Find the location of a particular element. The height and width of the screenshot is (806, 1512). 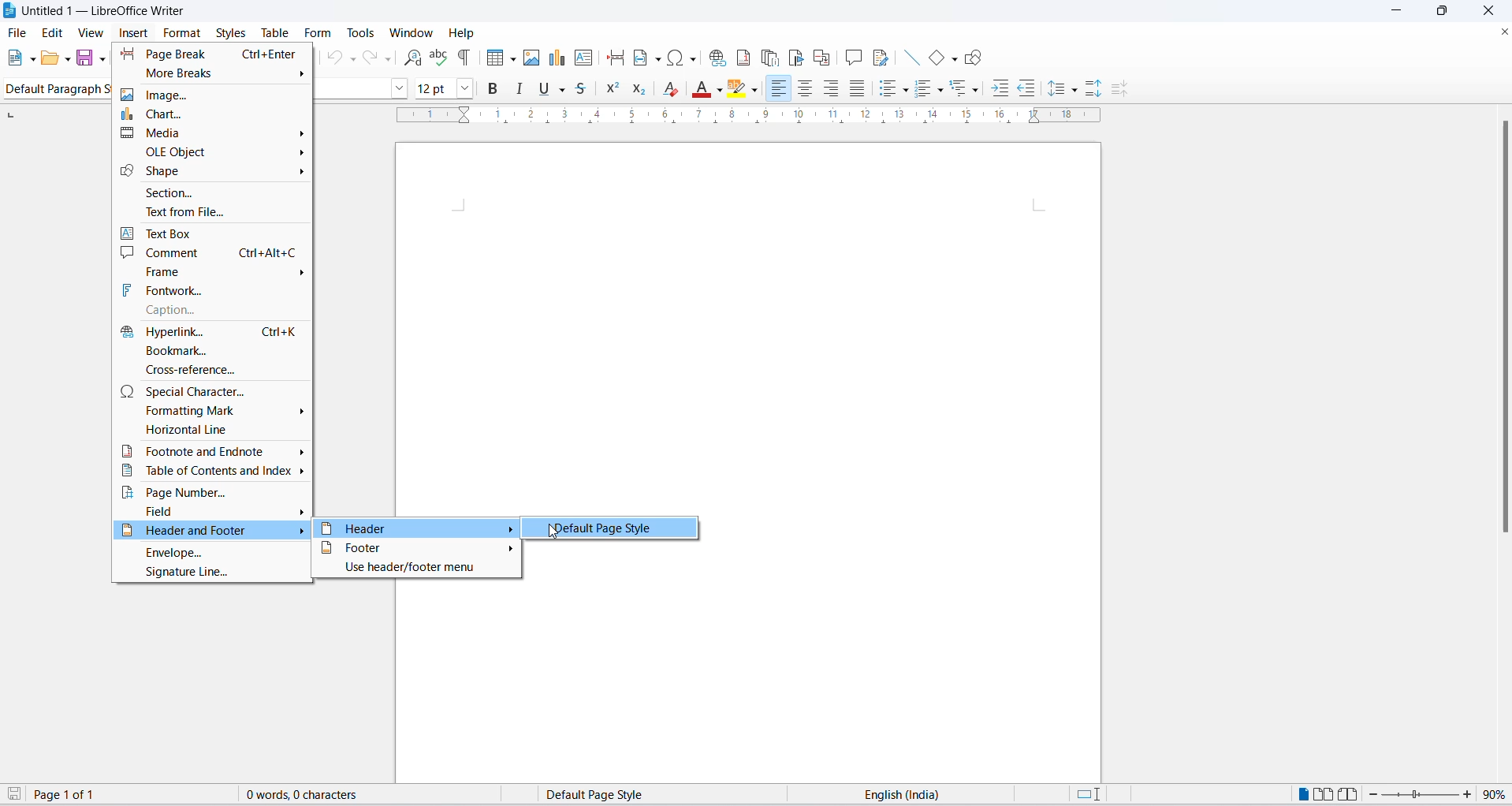

footer is located at coordinates (416, 548).